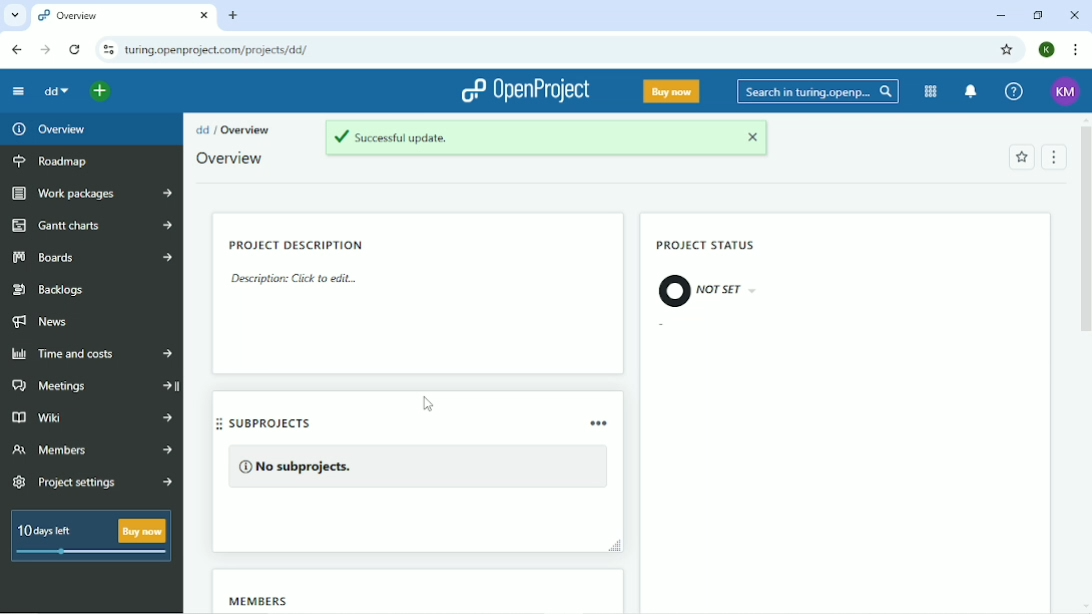  What do you see at coordinates (14, 15) in the screenshot?
I see `Search tabs` at bounding box center [14, 15].